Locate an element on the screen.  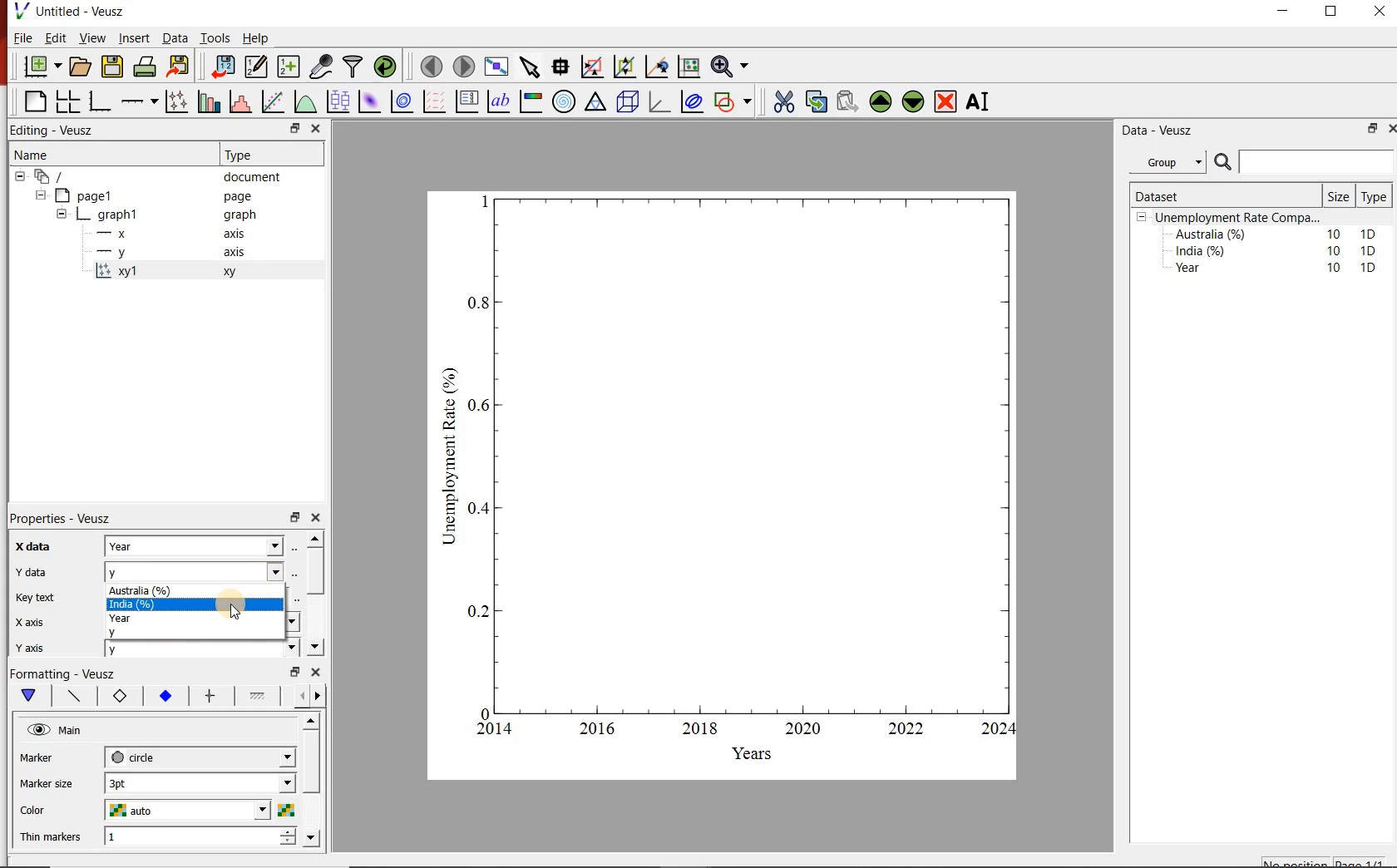
Name is located at coordinates (105, 153).